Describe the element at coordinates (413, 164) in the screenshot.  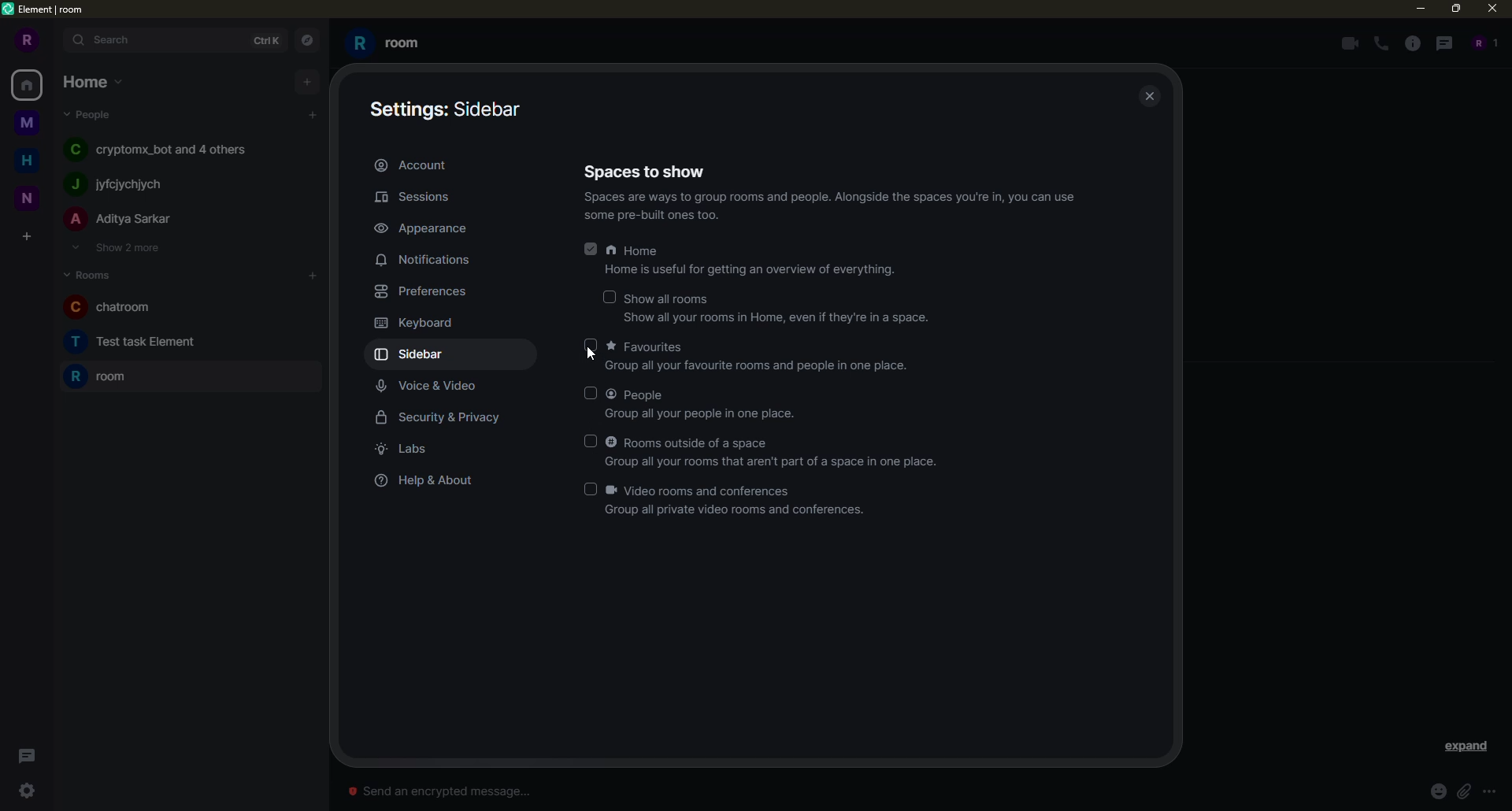
I see `account` at that location.